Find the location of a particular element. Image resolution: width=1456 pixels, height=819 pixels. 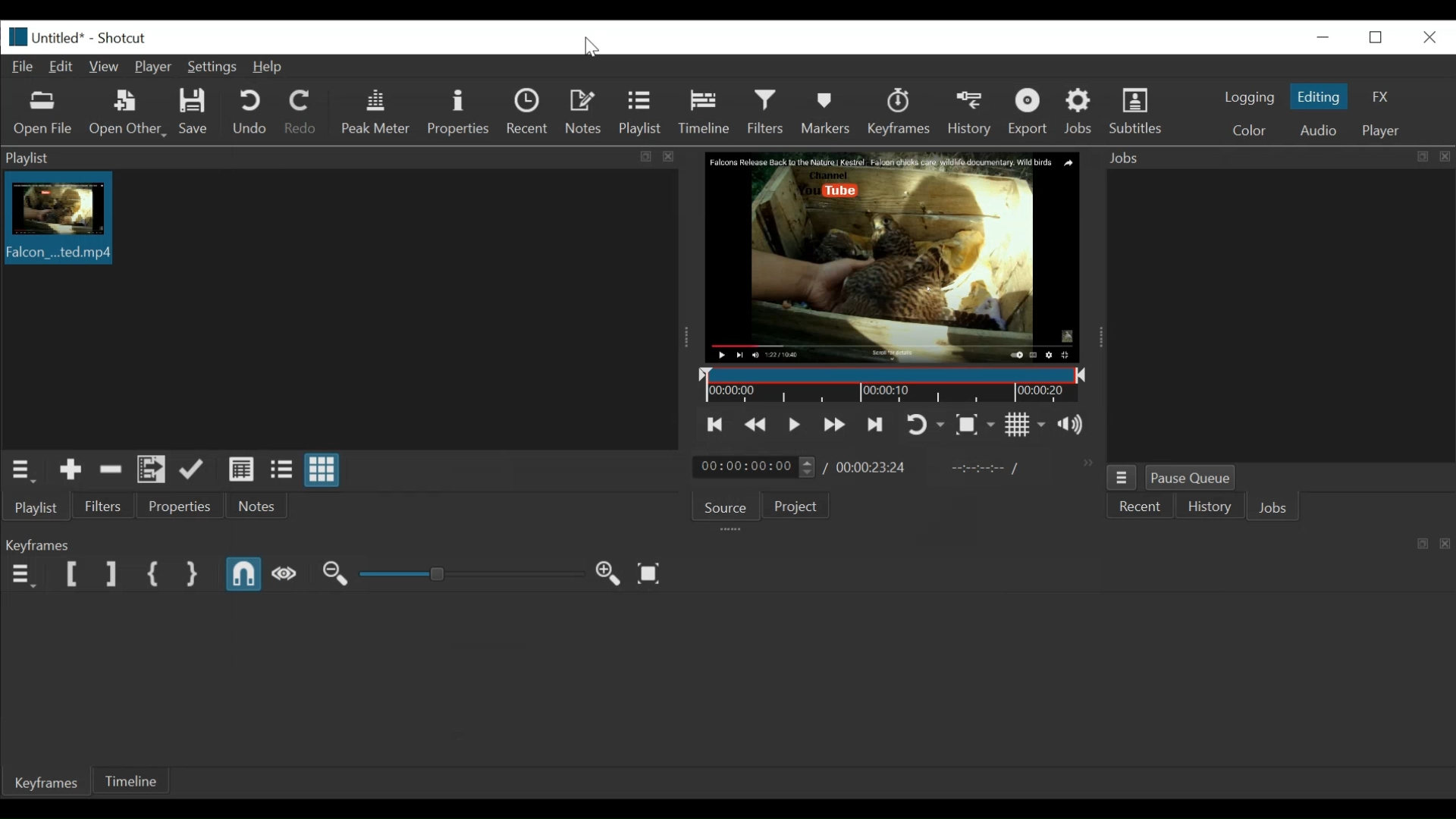

Restore is located at coordinates (1373, 36).